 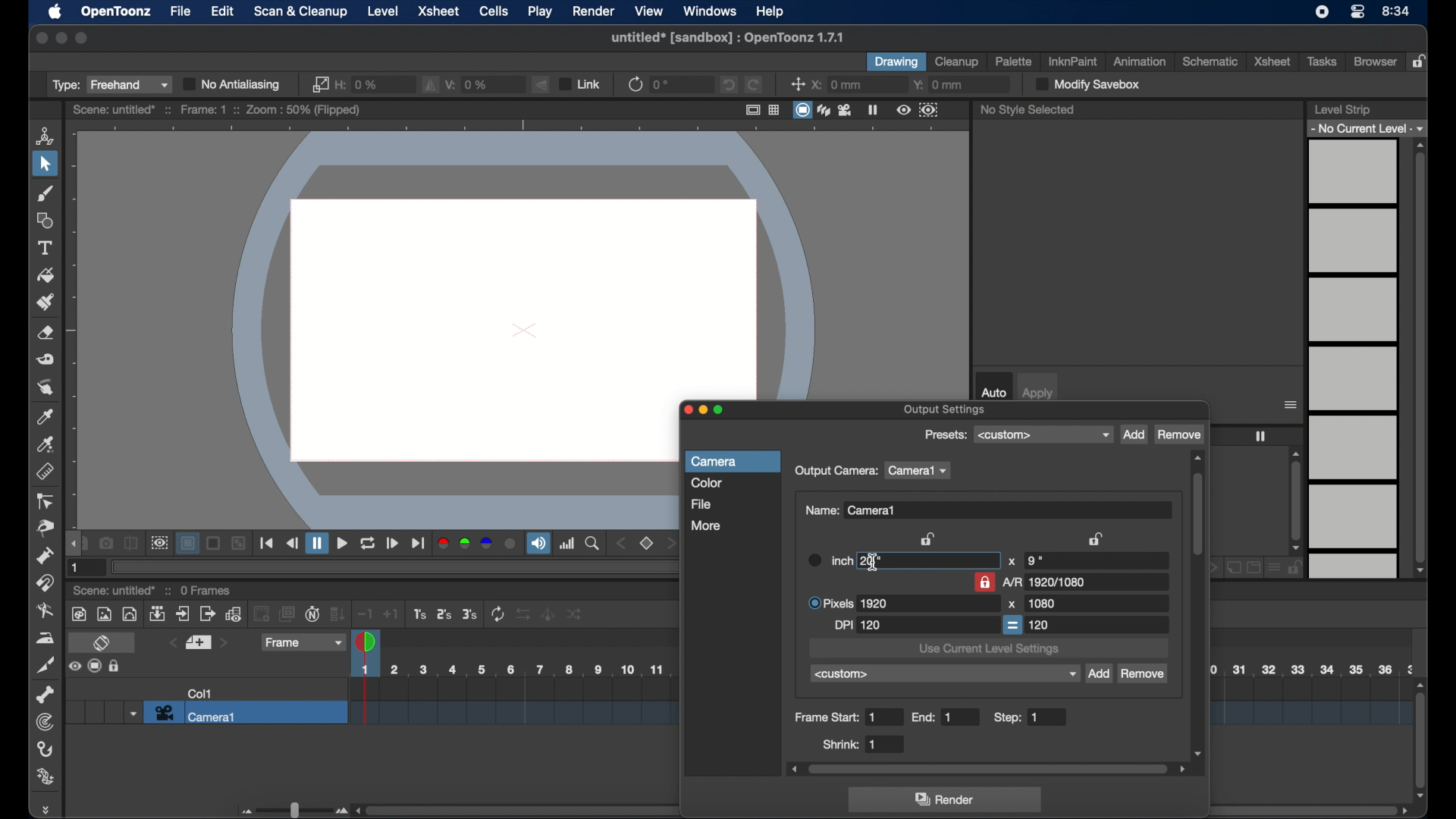 What do you see at coordinates (95, 666) in the screenshot?
I see `` at bounding box center [95, 666].